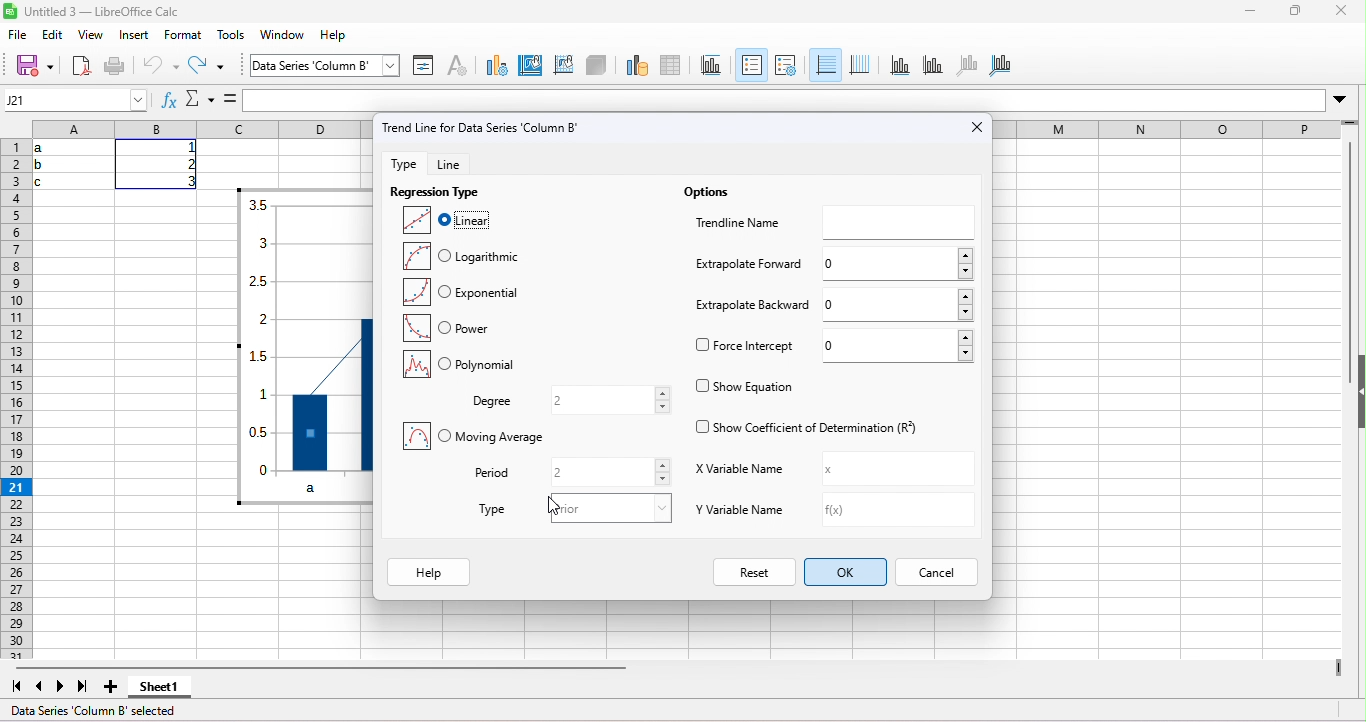  What do you see at coordinates (563, 67) in the screenshot?
I see `wall` at bounding box center [563, 67].